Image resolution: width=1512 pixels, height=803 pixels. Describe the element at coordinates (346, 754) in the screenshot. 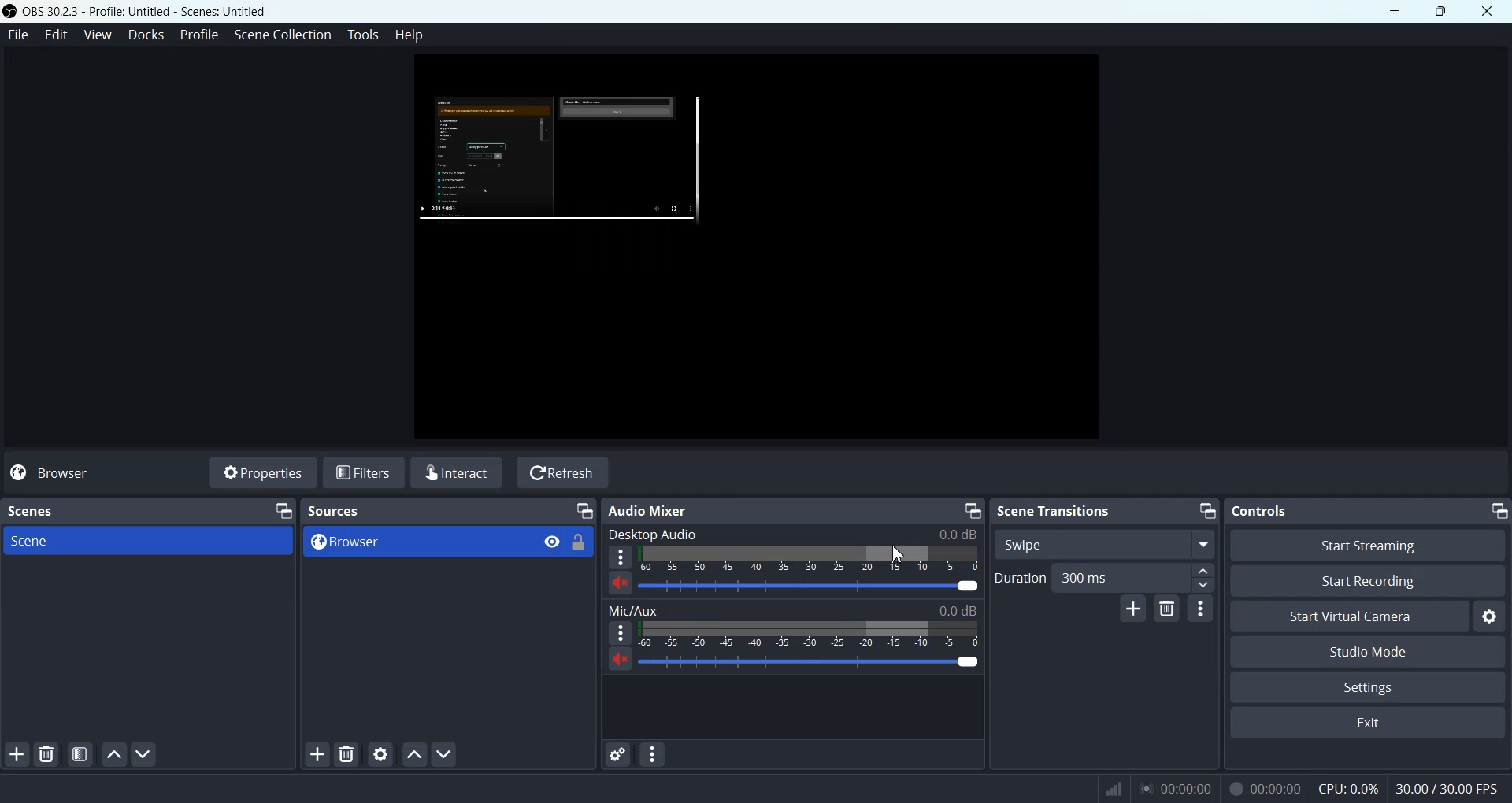

I see `Remove selected Source` at that location.